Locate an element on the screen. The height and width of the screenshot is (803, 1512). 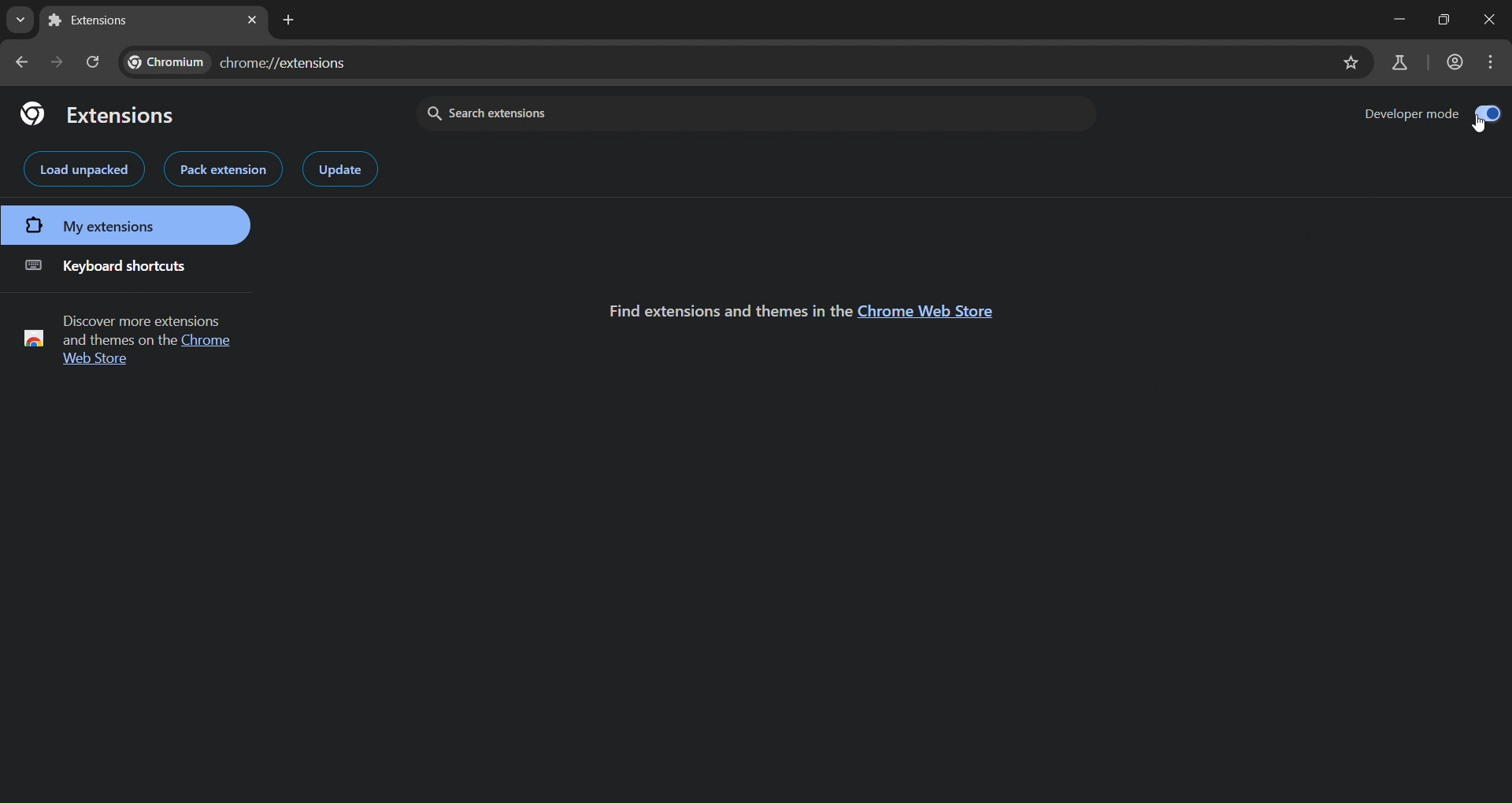
new tab is located at coordinates (290, 21).